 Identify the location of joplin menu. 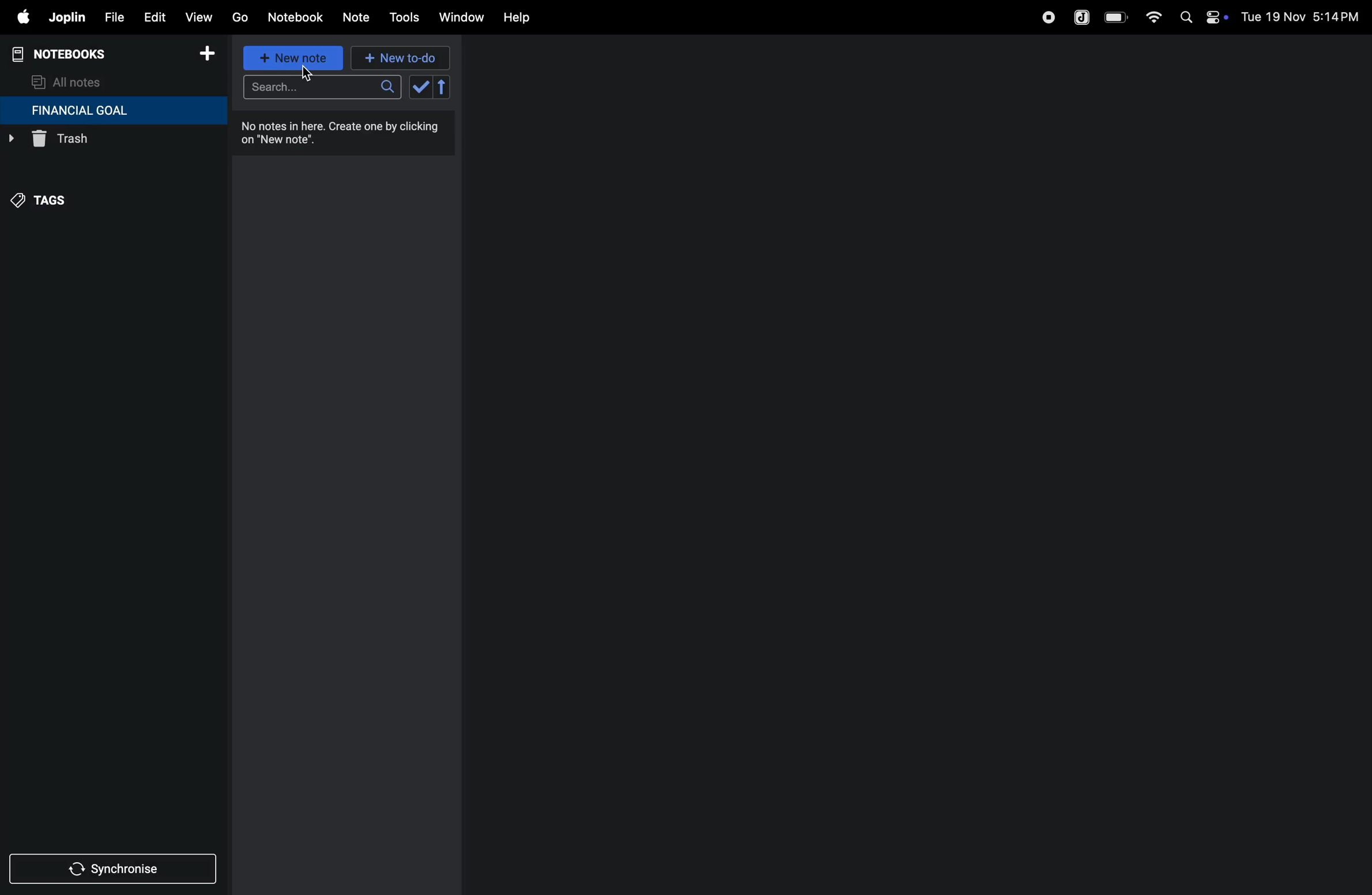
(65, 17).